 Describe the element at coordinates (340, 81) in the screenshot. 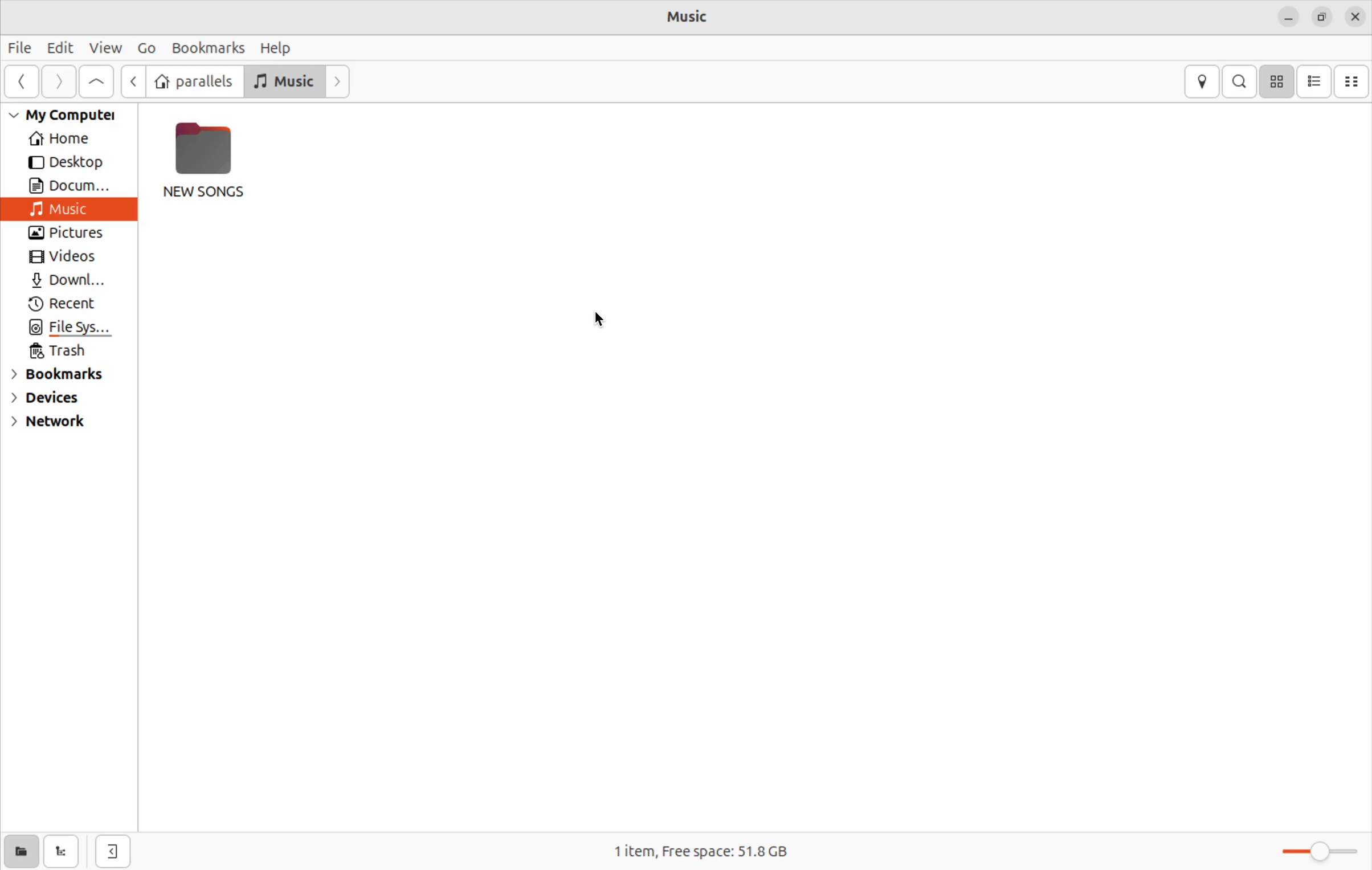

I see `next` at that location.